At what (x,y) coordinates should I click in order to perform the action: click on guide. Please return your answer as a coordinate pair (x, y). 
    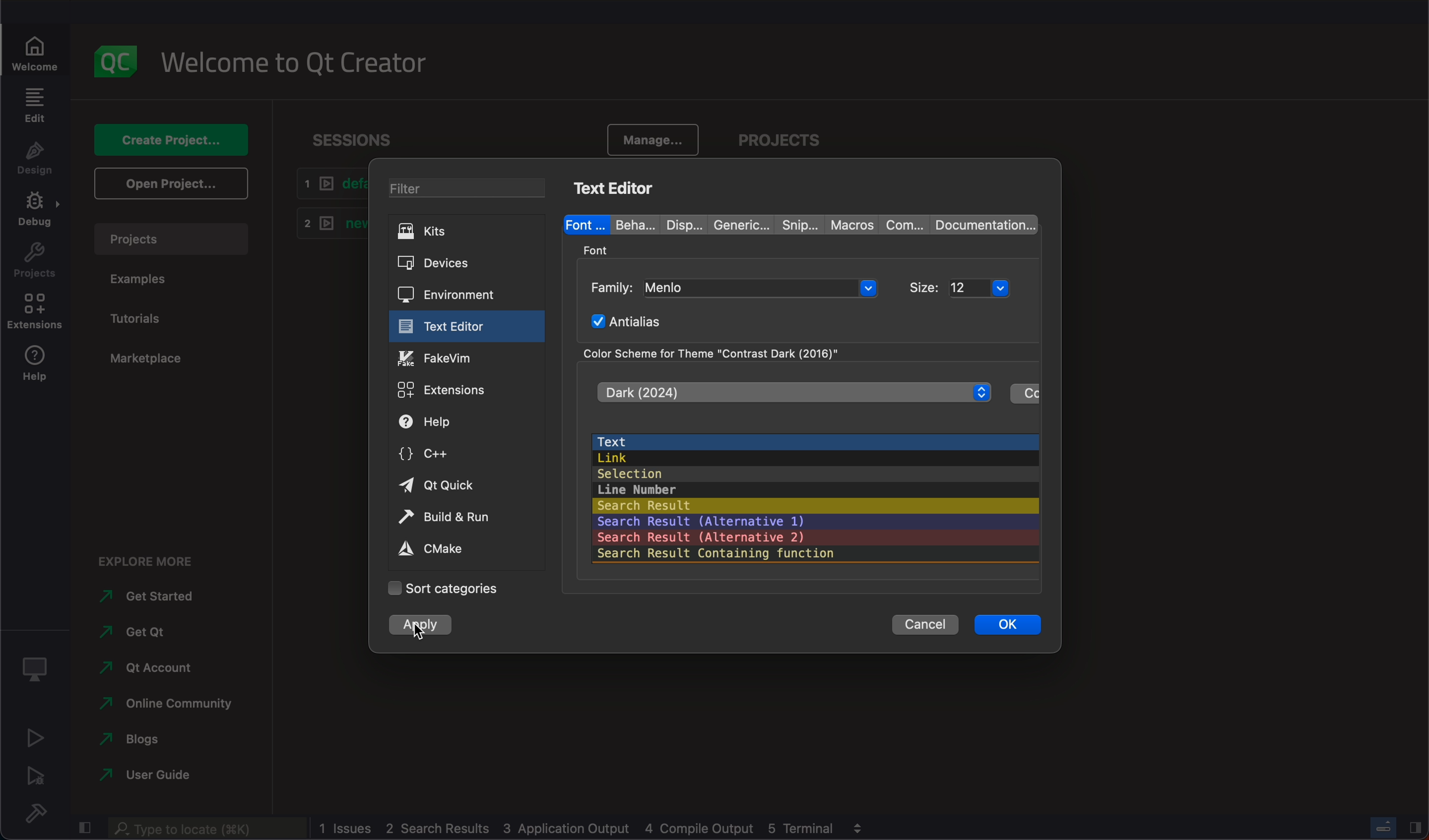
    Looking at the image, I should click on (156, 775).